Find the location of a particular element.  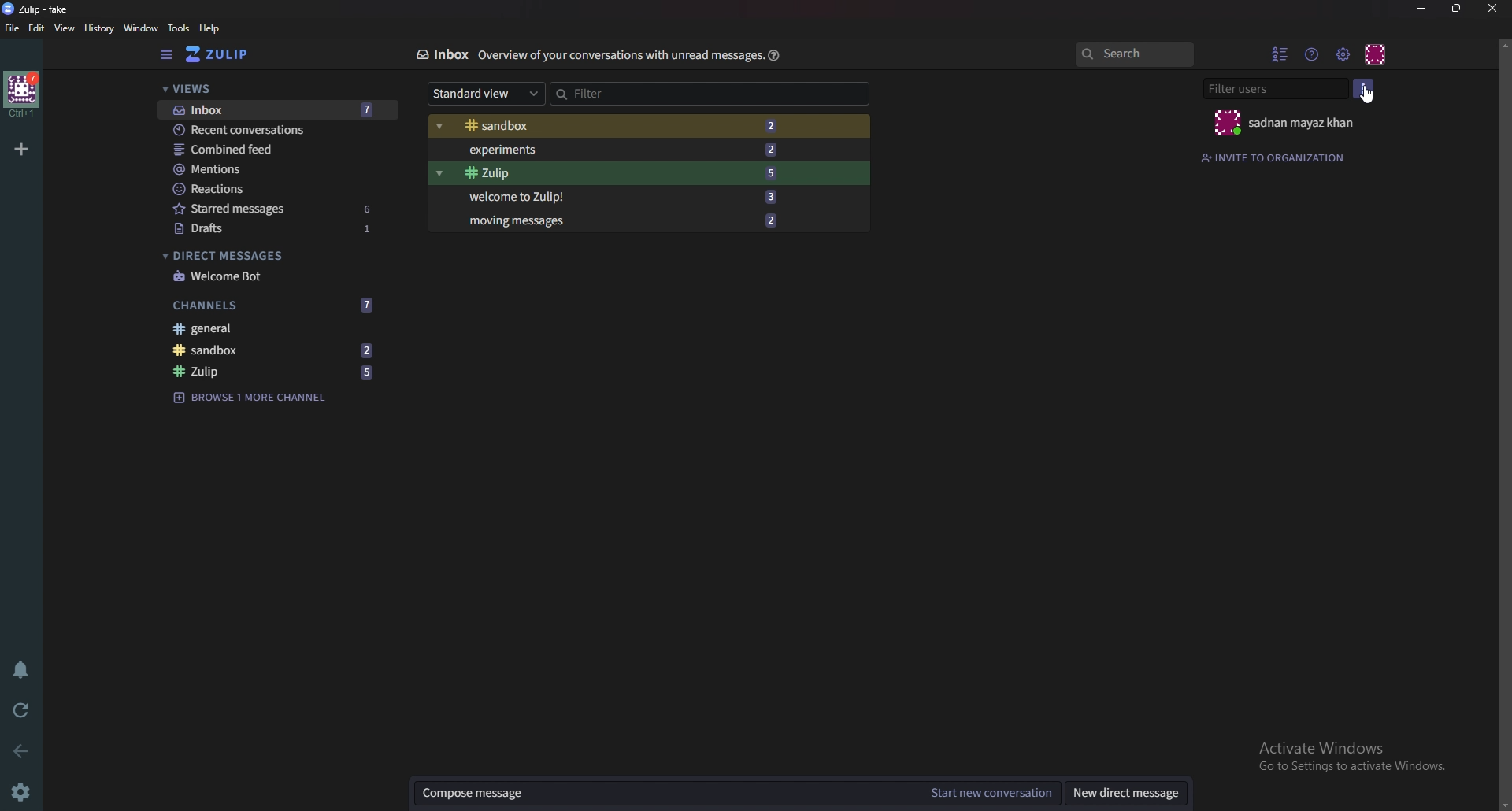

sandbox is located at coordinates (280, 350).